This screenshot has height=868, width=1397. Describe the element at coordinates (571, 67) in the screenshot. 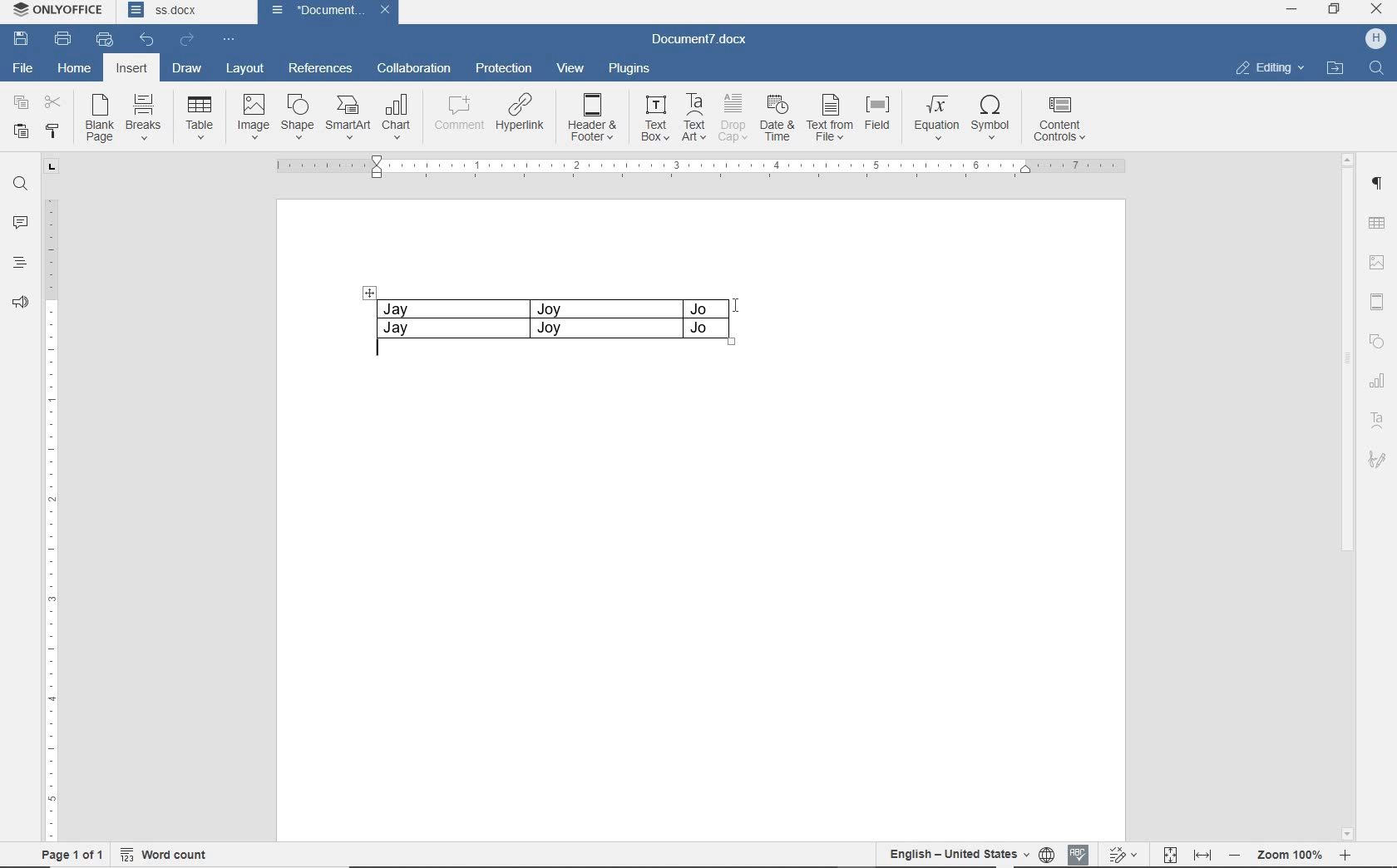

I see `VIEW` at that location.